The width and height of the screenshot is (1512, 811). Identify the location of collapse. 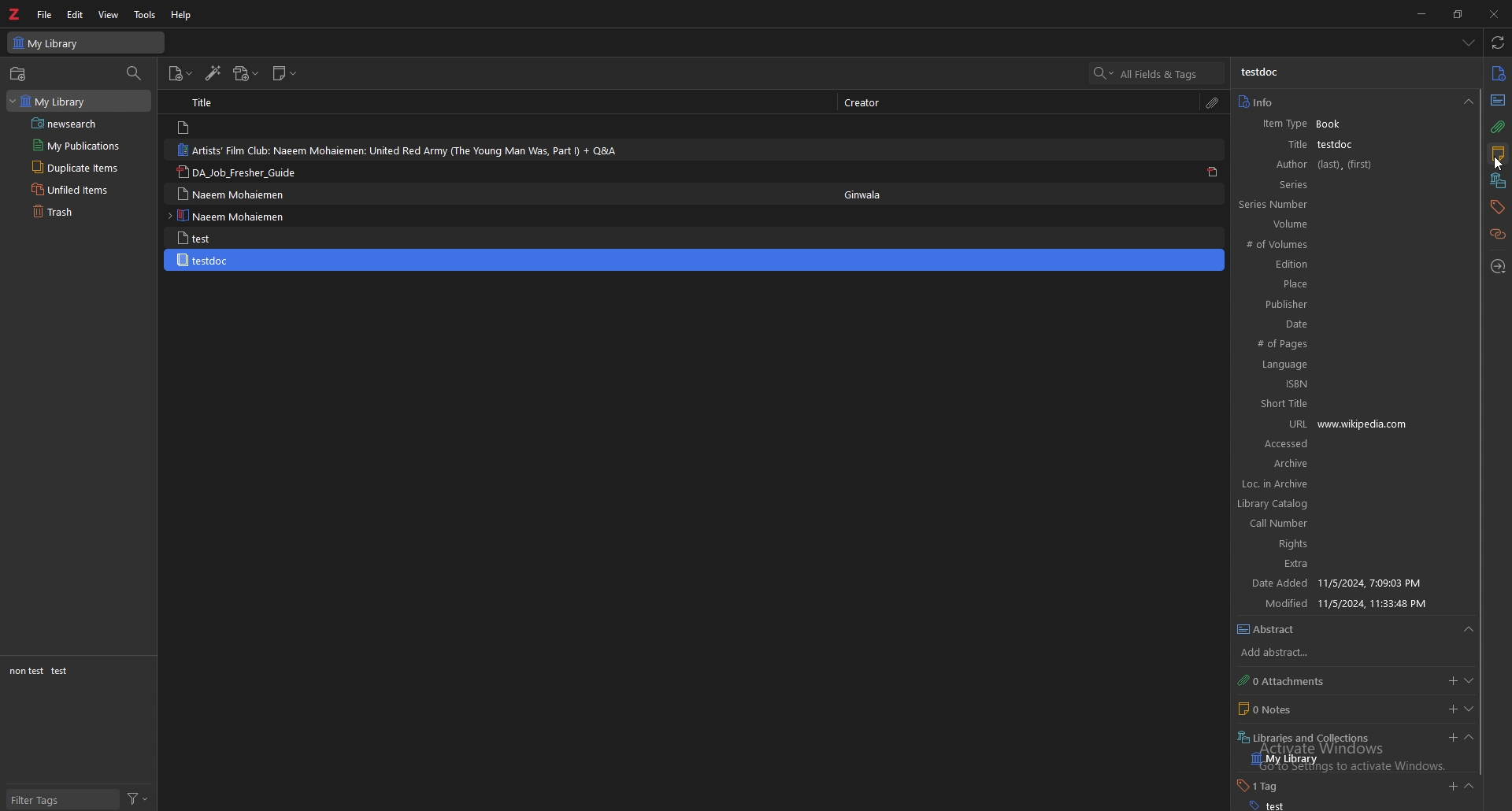
(1468, 736).